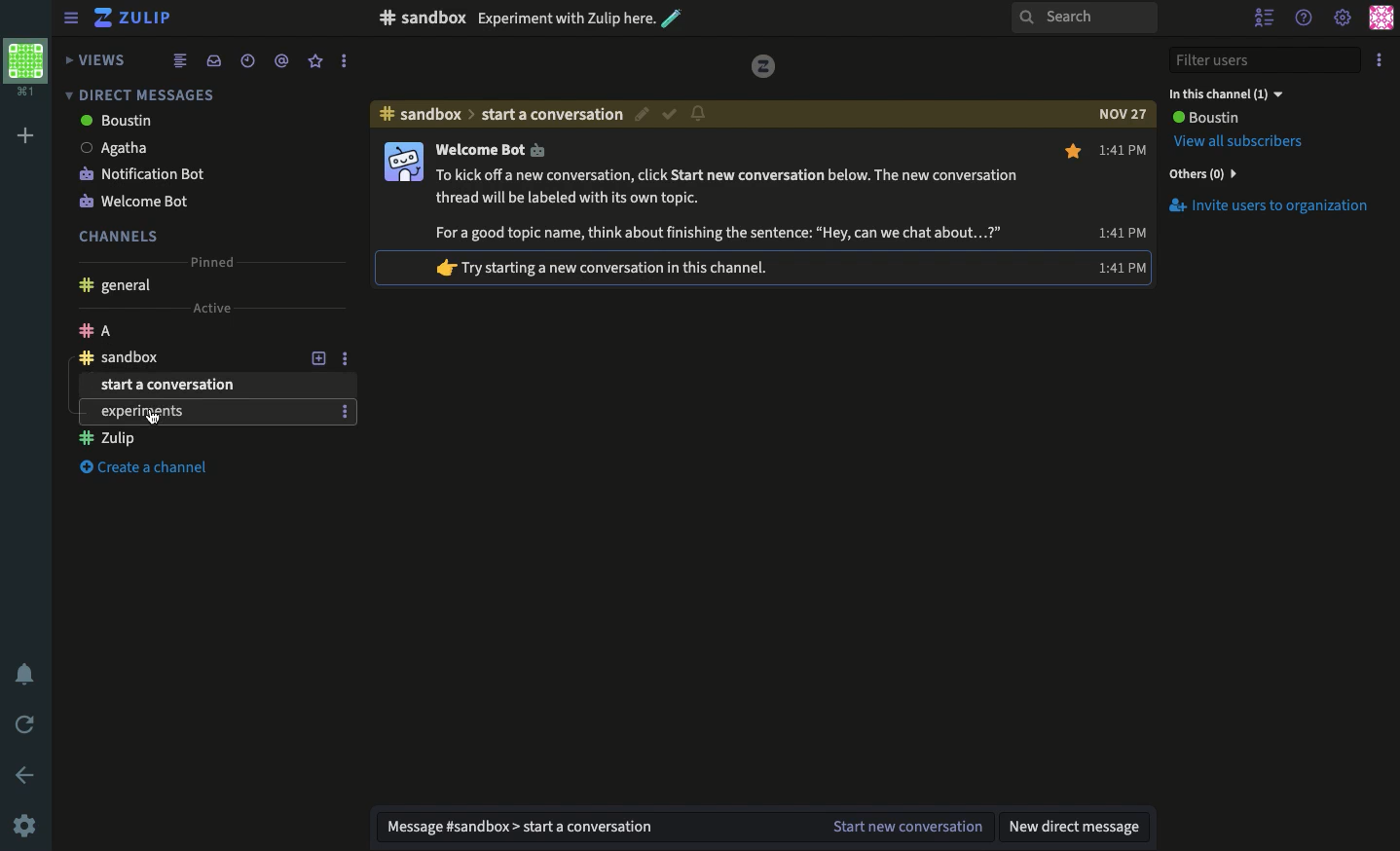 This screenshot has width=1400, height=851. I want to click on Start the conversation, so click(904, 828).